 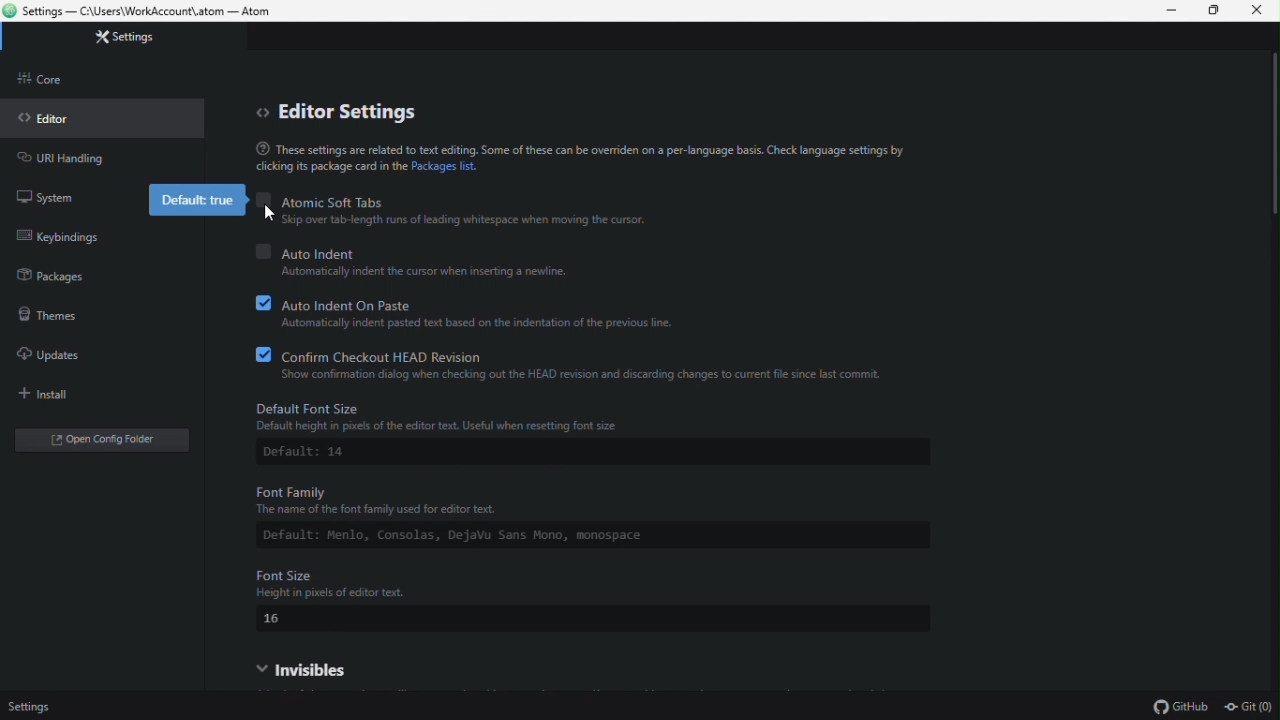 What do you see at coordinates (58, 118) in the screenshot?
I see `Editor` at bounding box center [58, 118].